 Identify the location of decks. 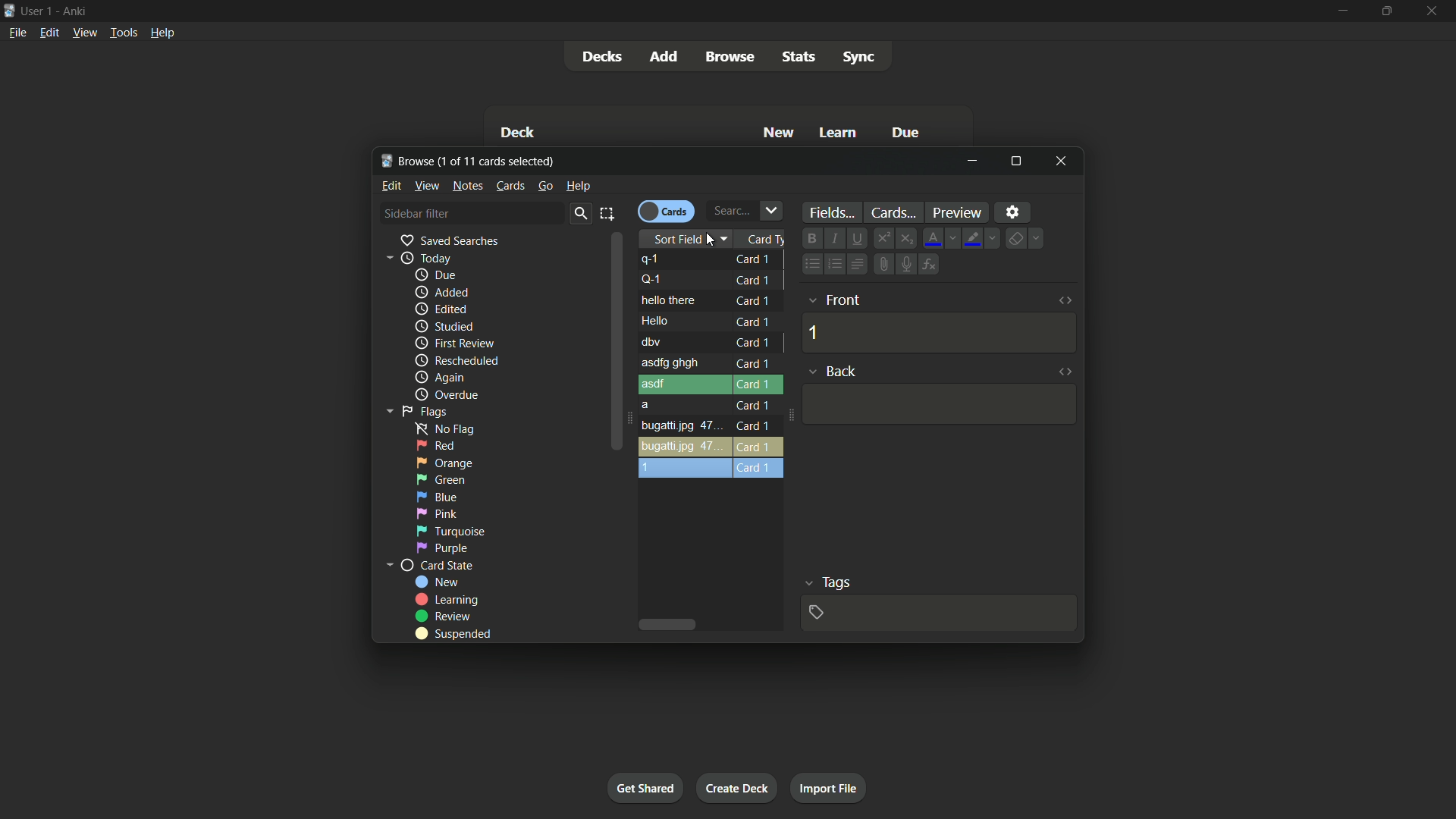
(607, 55).